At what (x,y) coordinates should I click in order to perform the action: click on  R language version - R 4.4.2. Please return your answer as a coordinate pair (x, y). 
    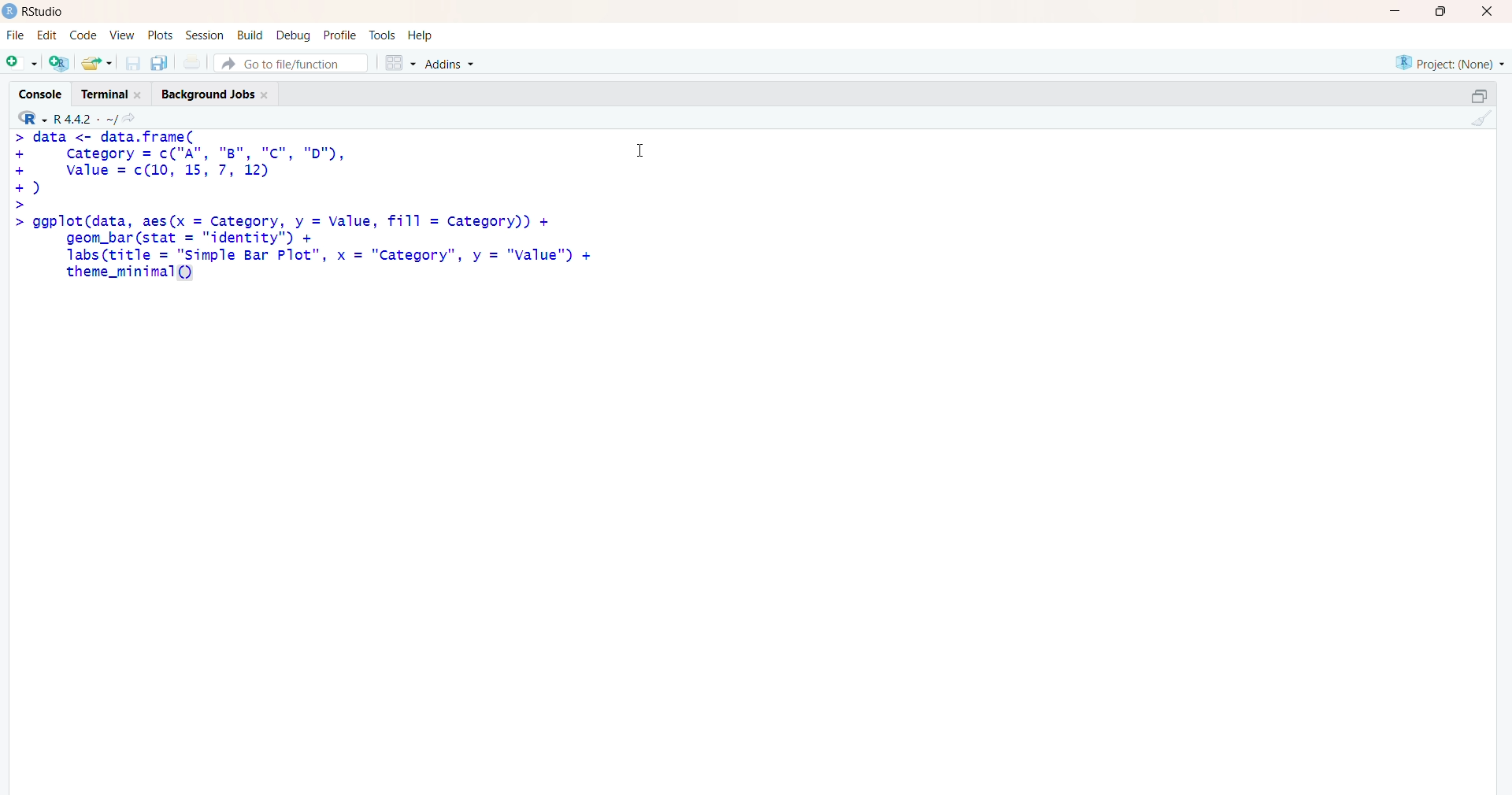
    Looking at the image, I should click on (85, 117).